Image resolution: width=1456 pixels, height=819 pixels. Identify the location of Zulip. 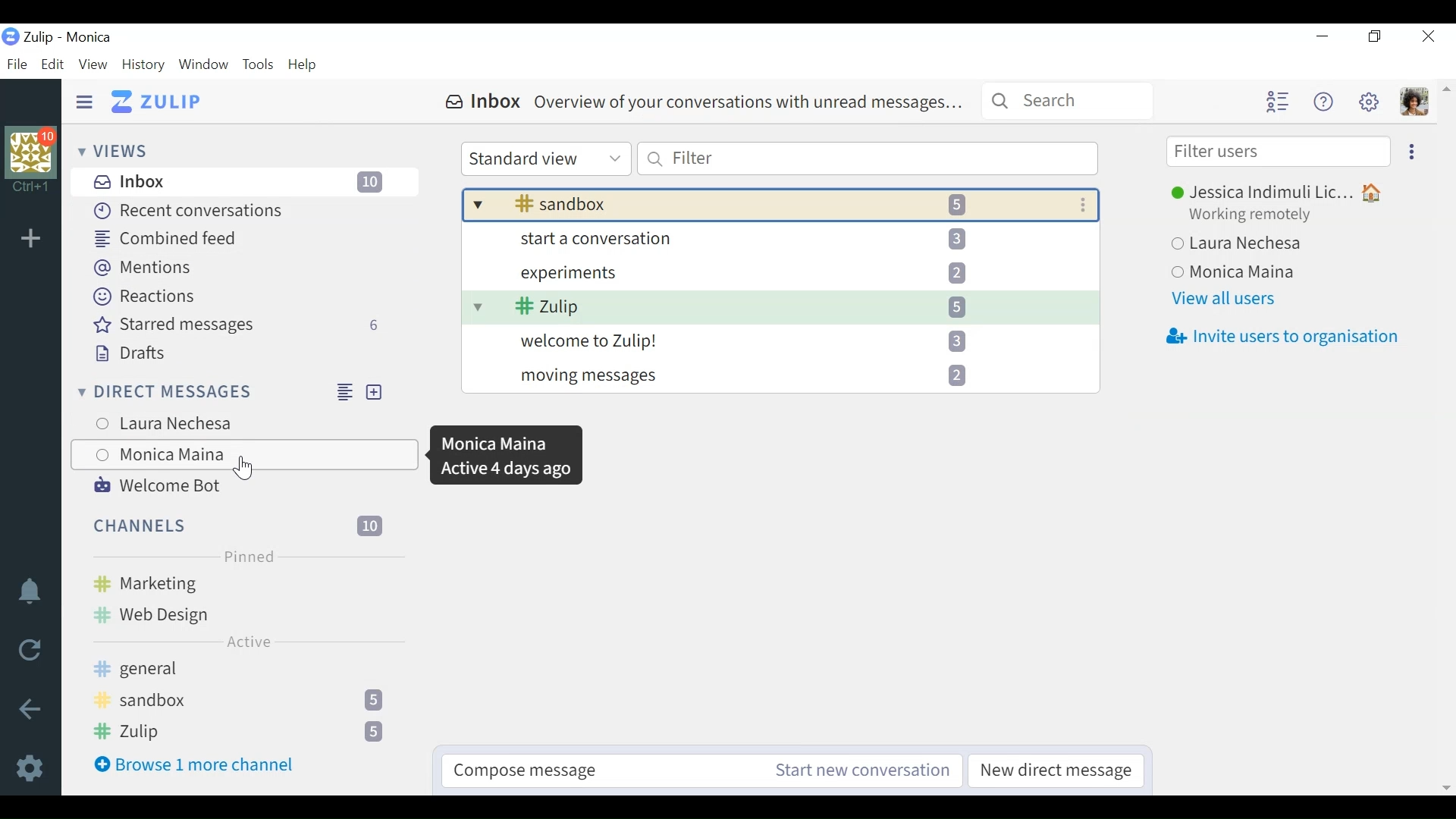
(246, 732).